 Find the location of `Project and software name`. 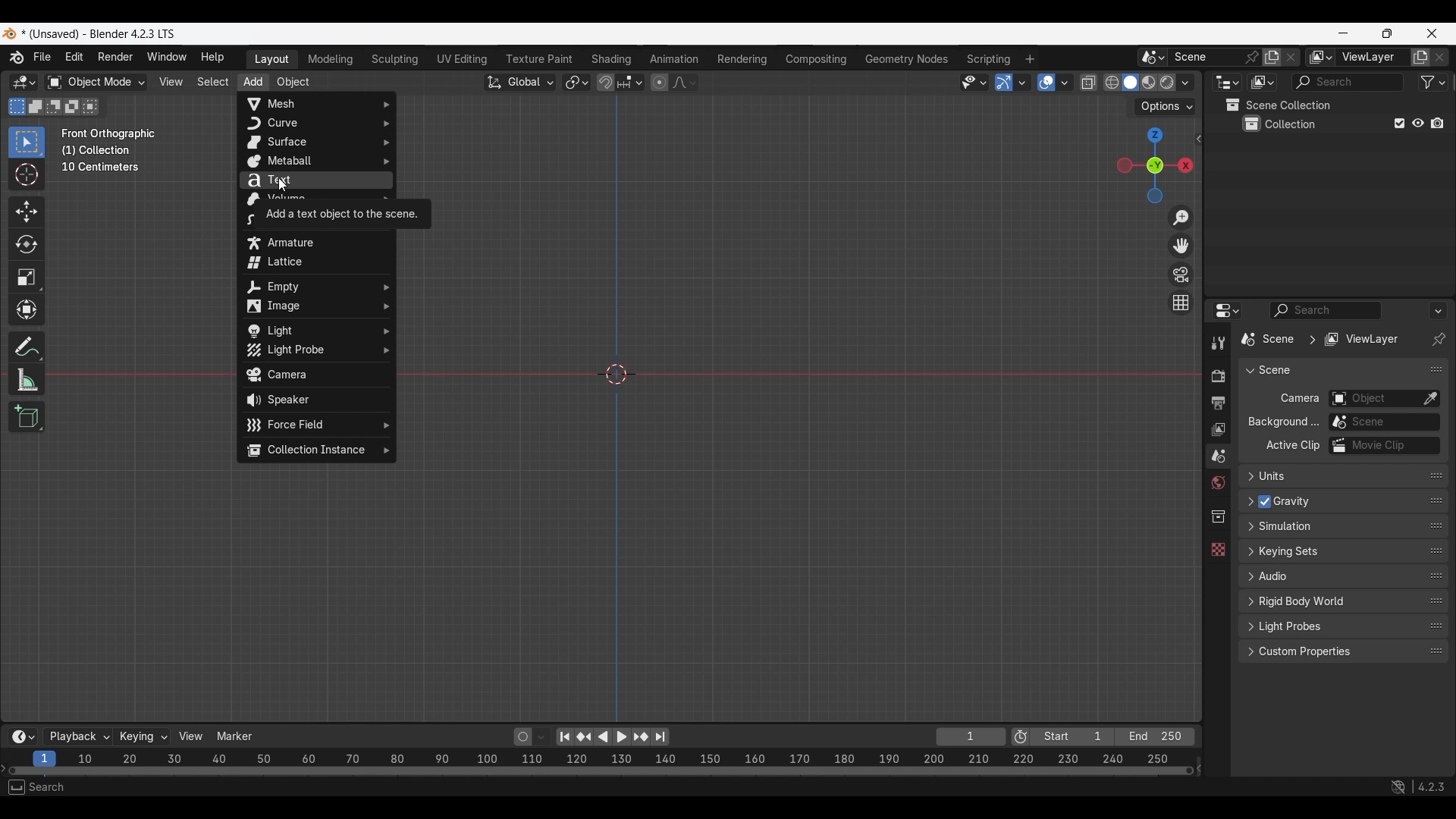

Project and software name is located at coordinates (99, 34).